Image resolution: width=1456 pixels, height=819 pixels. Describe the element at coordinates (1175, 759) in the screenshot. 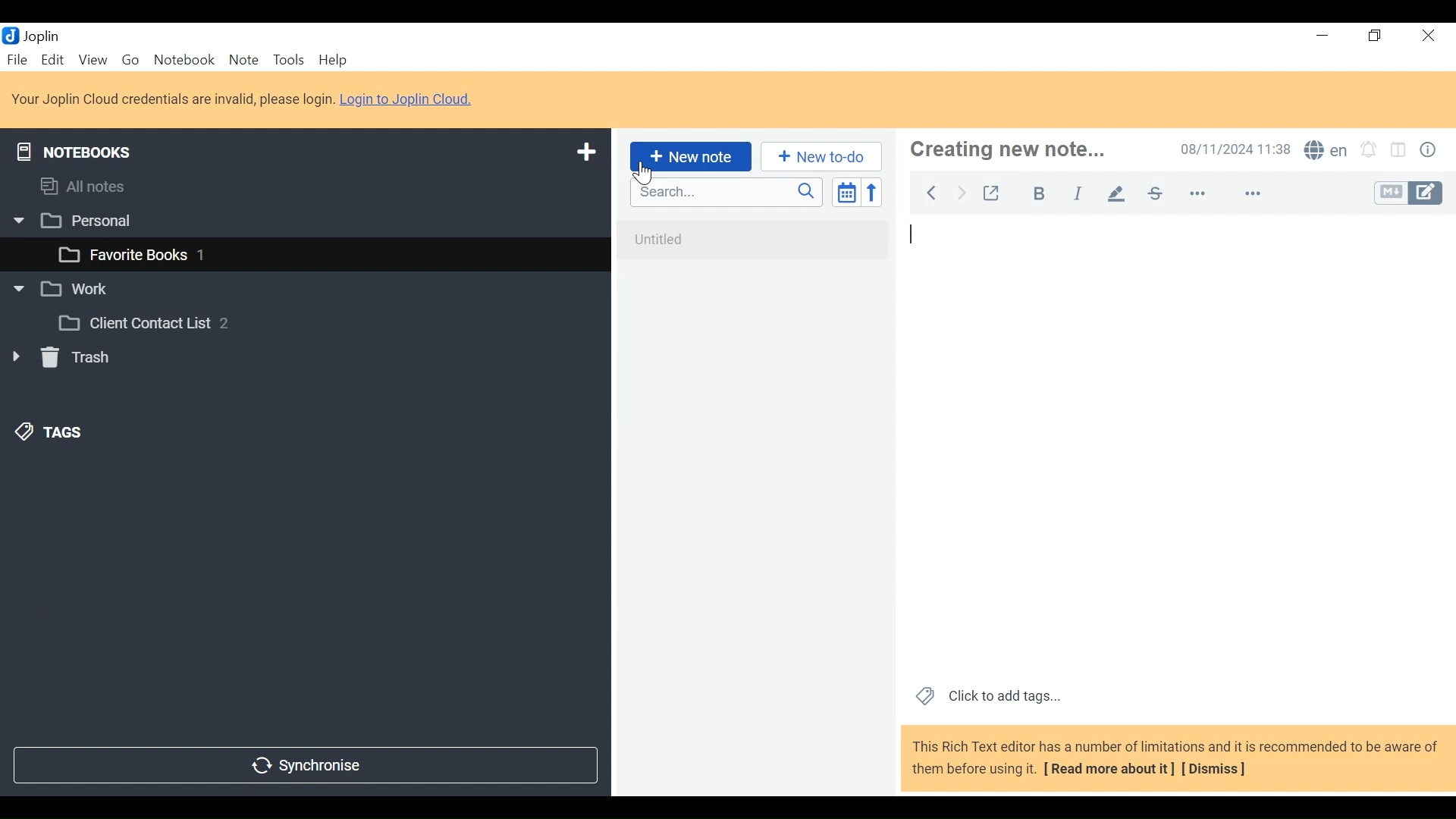

I see `This Rich Text editor has a number of limitations and it is recommended to be aware of
them before using it. [ Read more about it] [Dismiss]` at that location.